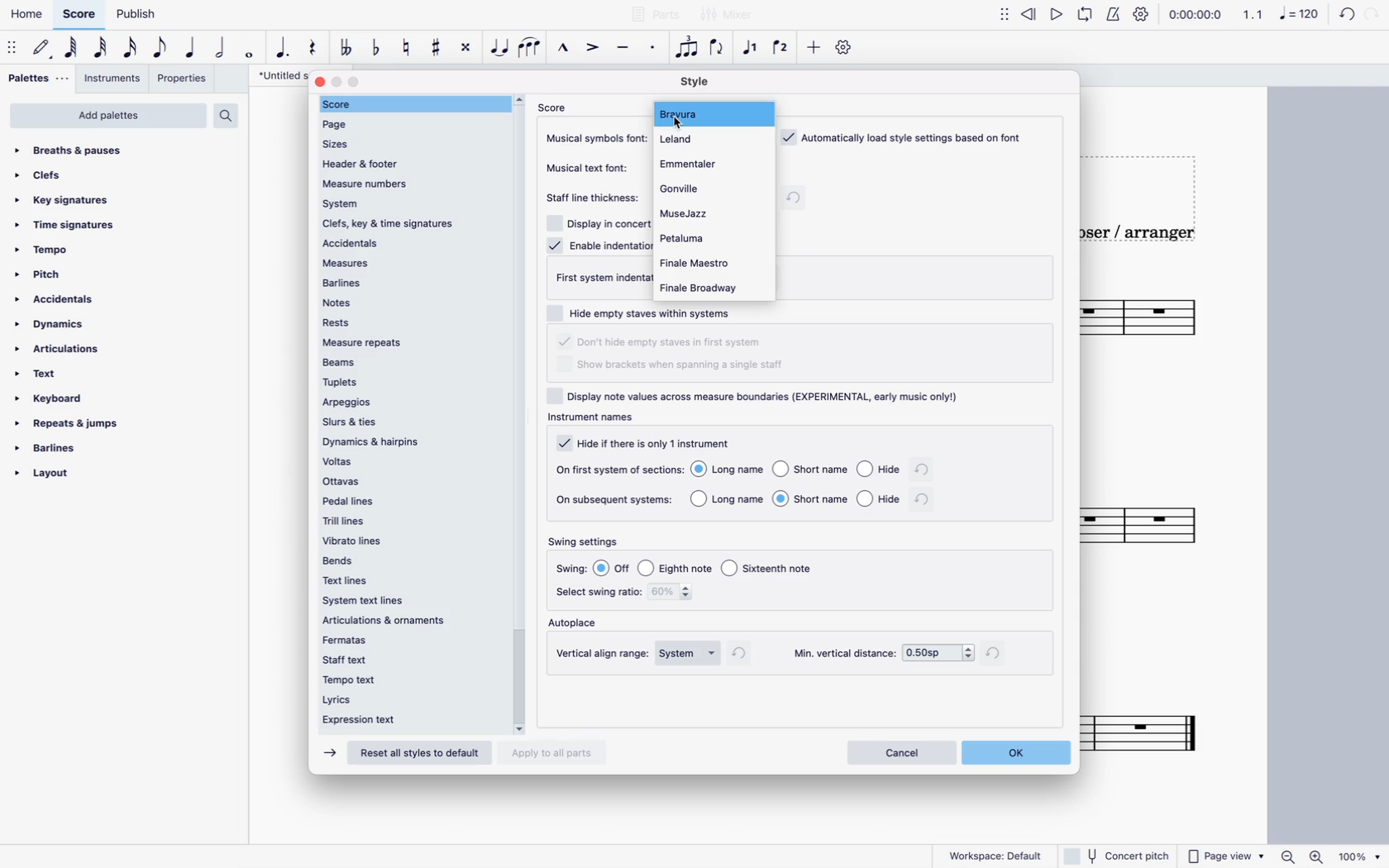  What do you see at coordinates (412, 442) in the screenshot?
I see `dynamics & harpins` at bounding box center [412, 442].